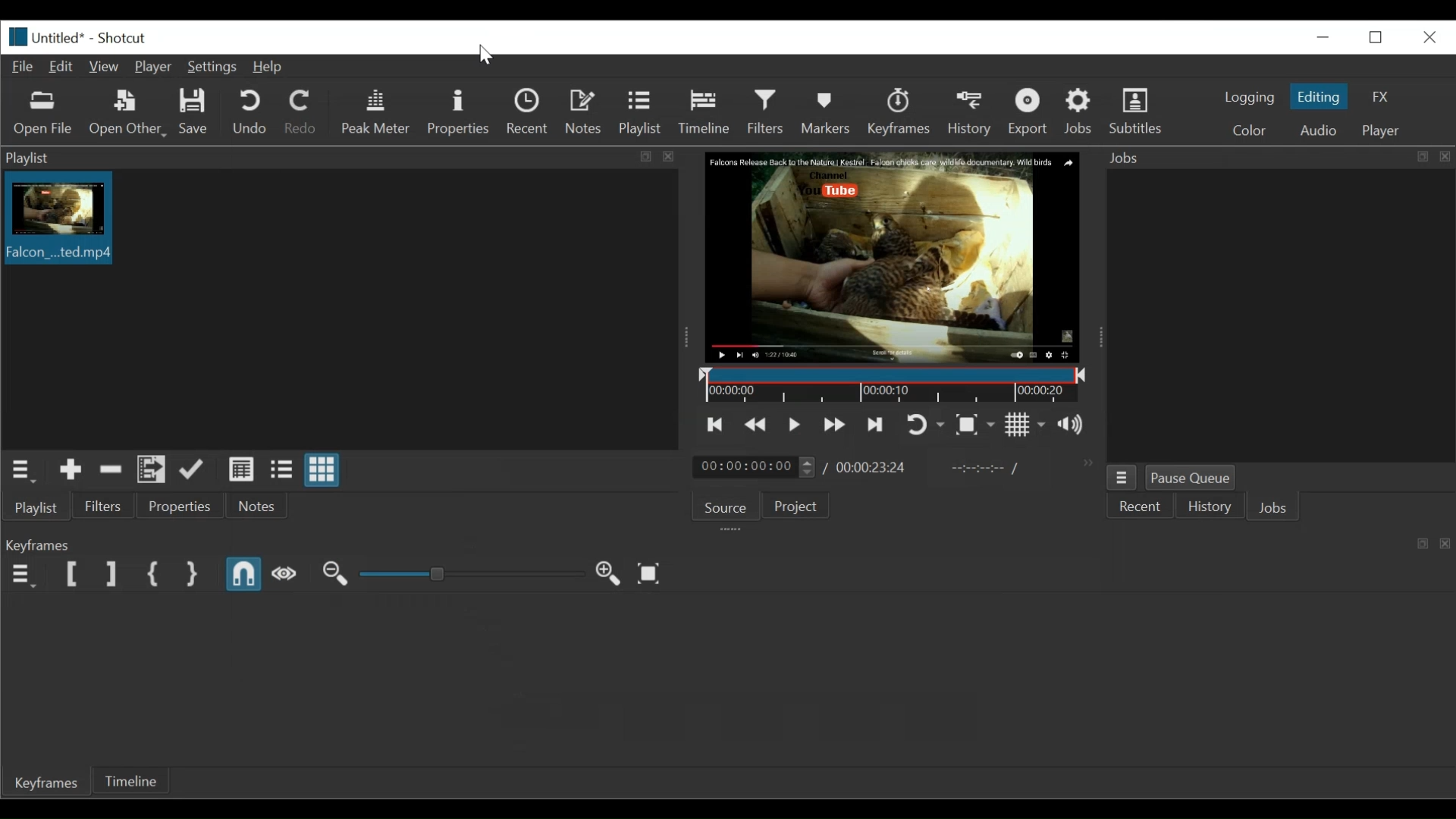 This screenshot has height=819, width=1456. Describe the element at coordinates (210, 67) in the screenshot. I see `Settings` at that location.